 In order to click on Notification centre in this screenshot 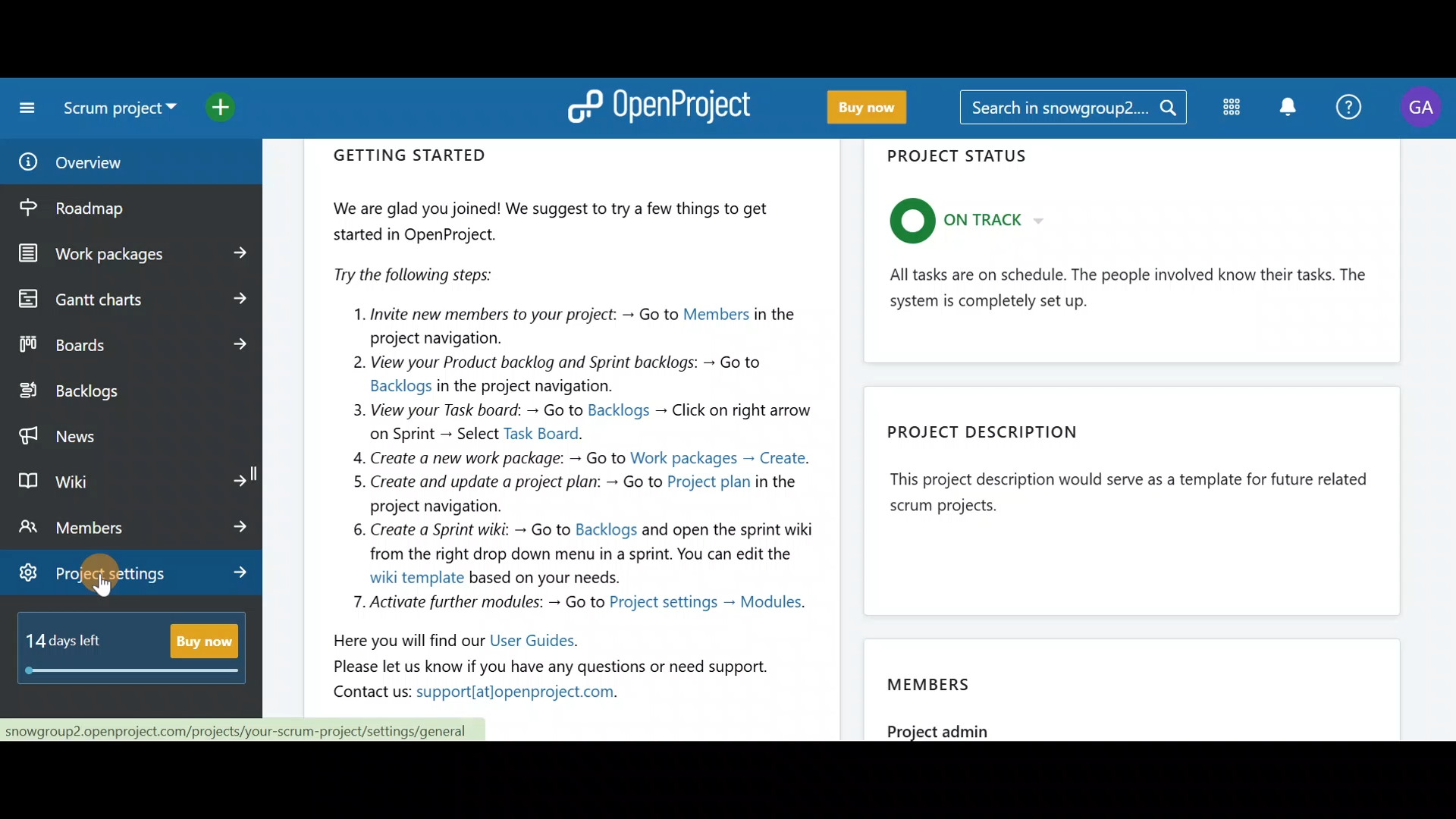, I will do `click(1284, 106)`.